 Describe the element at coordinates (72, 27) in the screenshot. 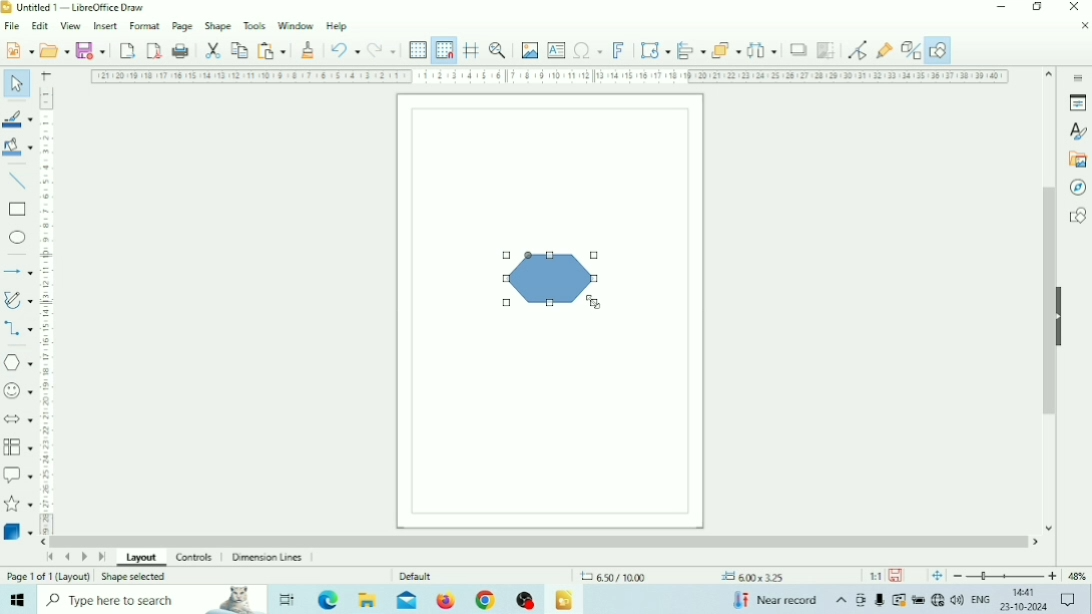

I see `View` at that location.